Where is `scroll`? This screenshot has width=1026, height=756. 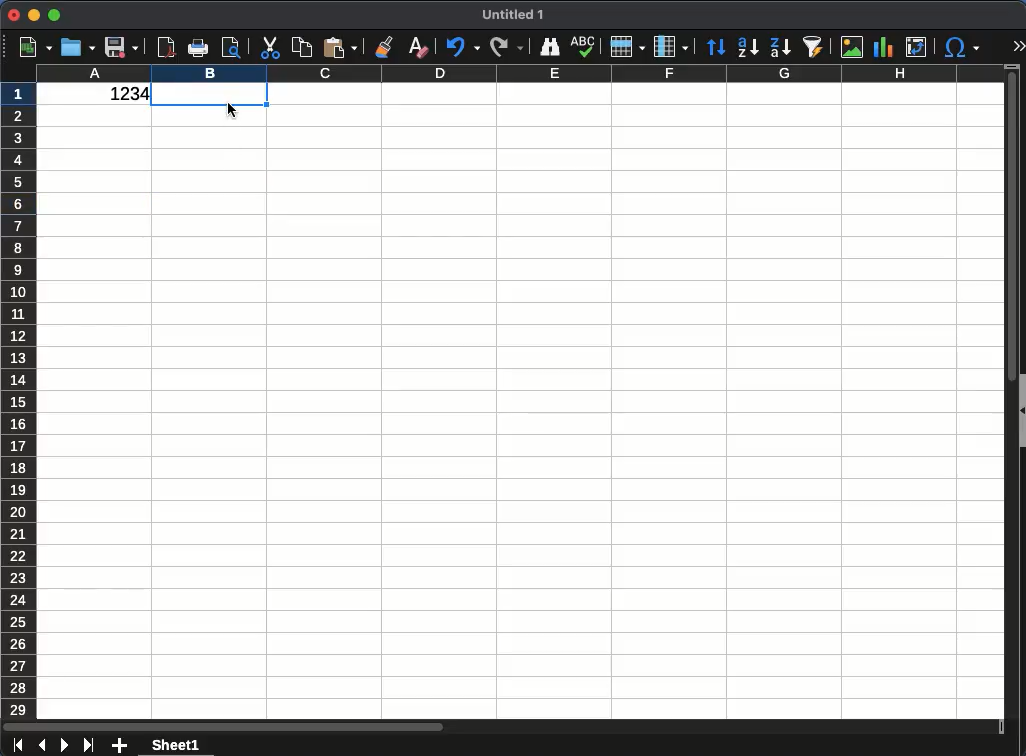 scroll is located at coordinates (1009, 391).